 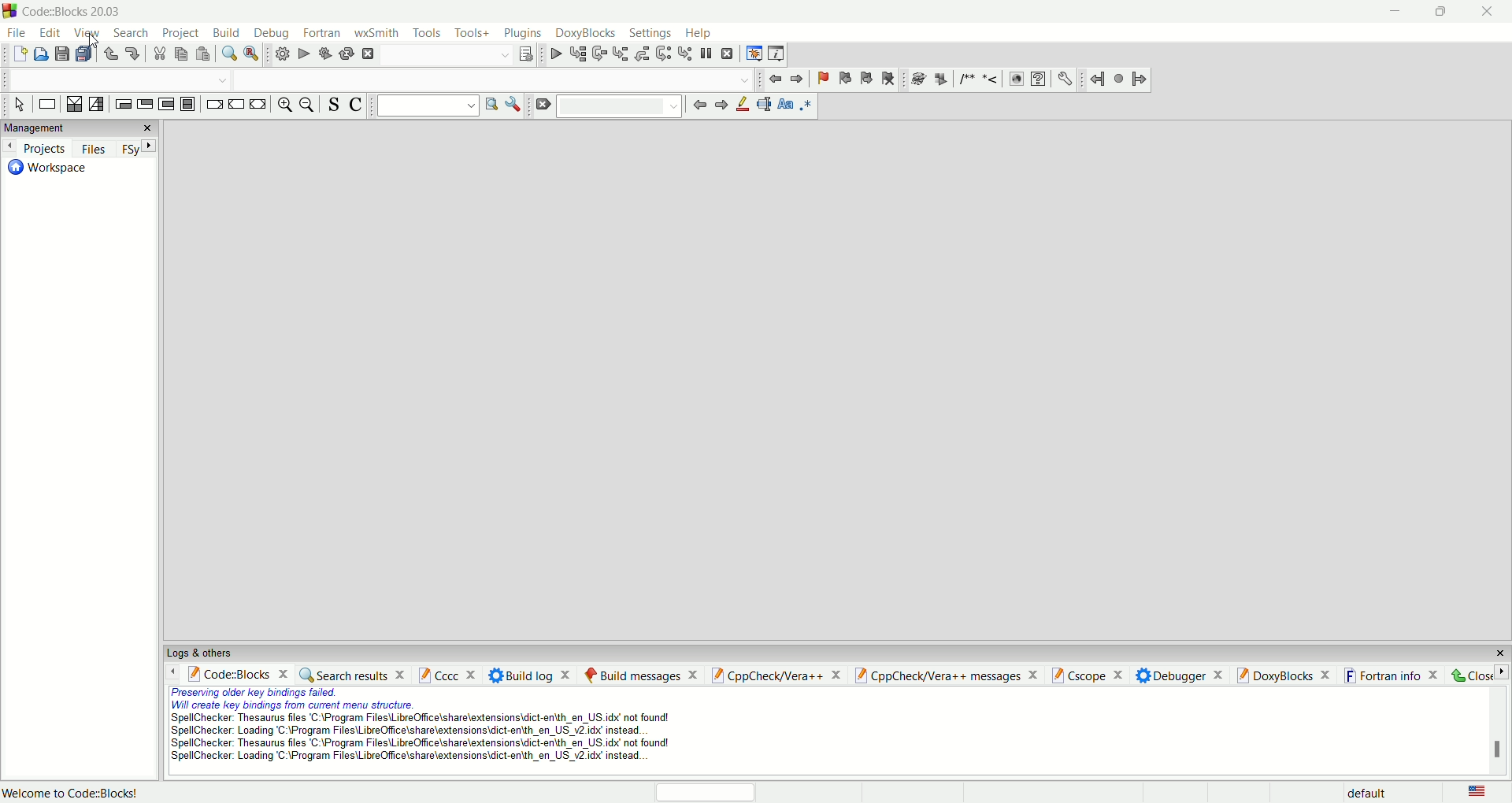 What do you see at coordinates (378, 33) in the screenshot?
I see `wxSmith` at bounding box center [378, 33].